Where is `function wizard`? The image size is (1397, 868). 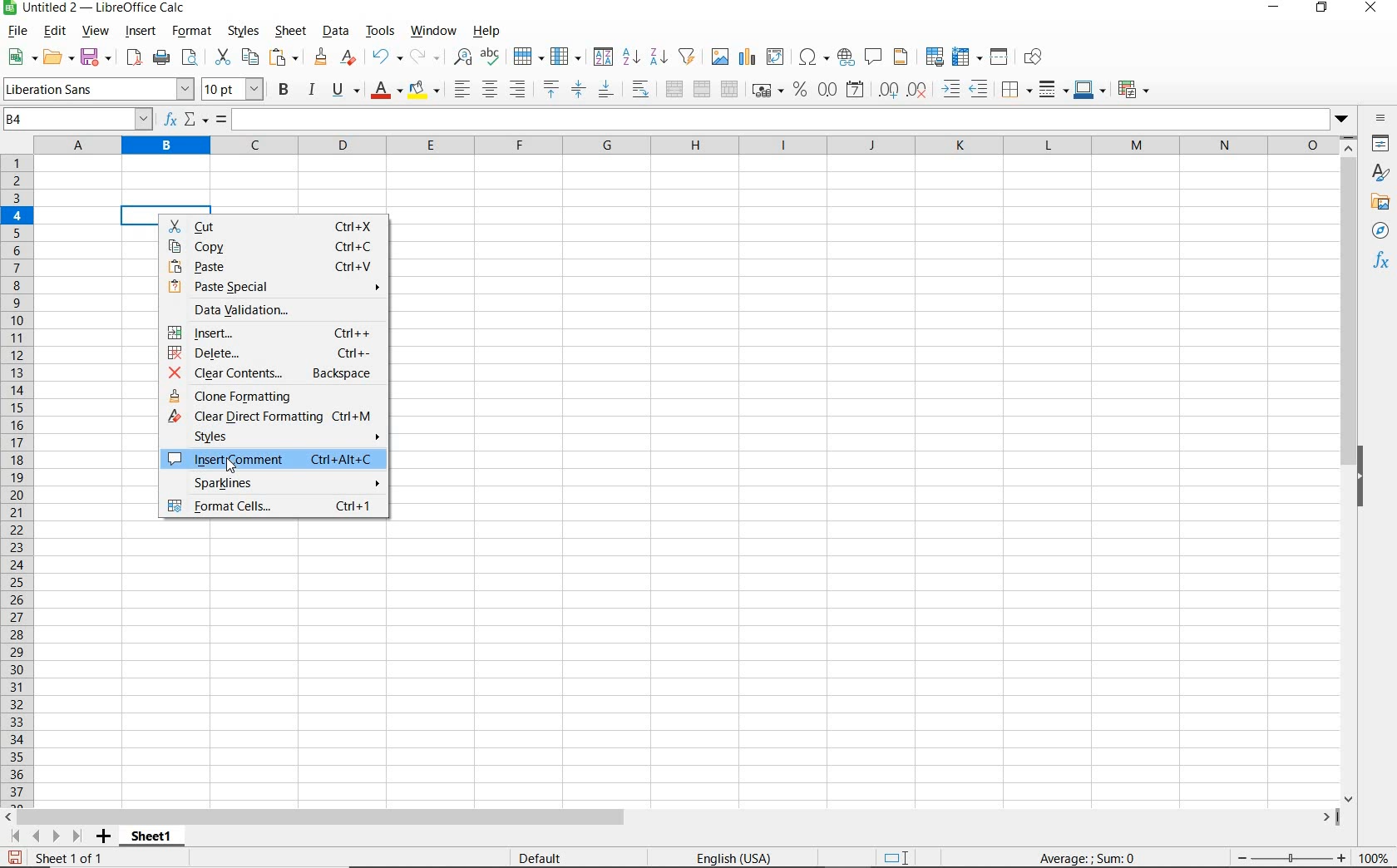
function wizard is located at coordinates (170, 120).